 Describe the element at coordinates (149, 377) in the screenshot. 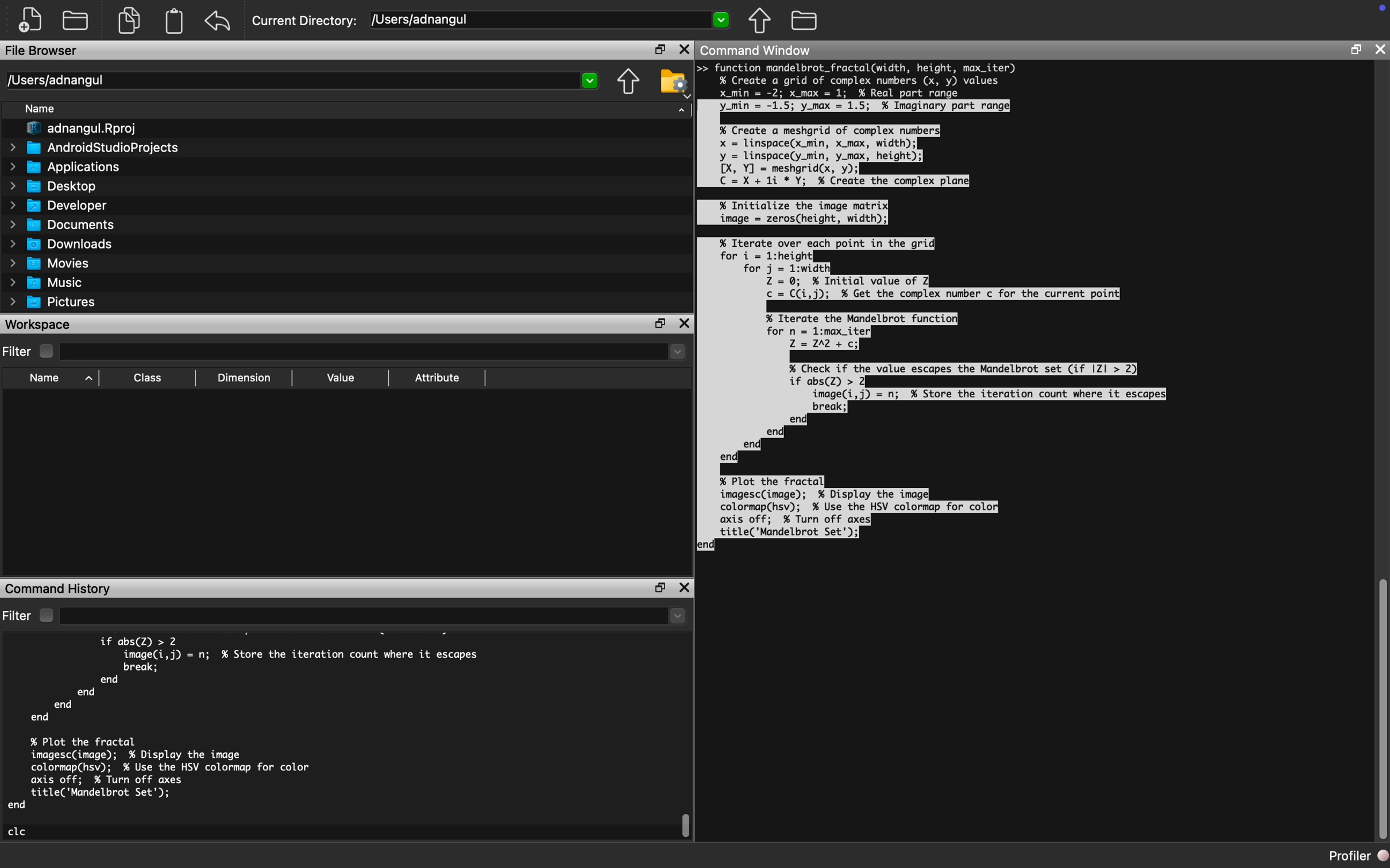

I see `Class` at that location.